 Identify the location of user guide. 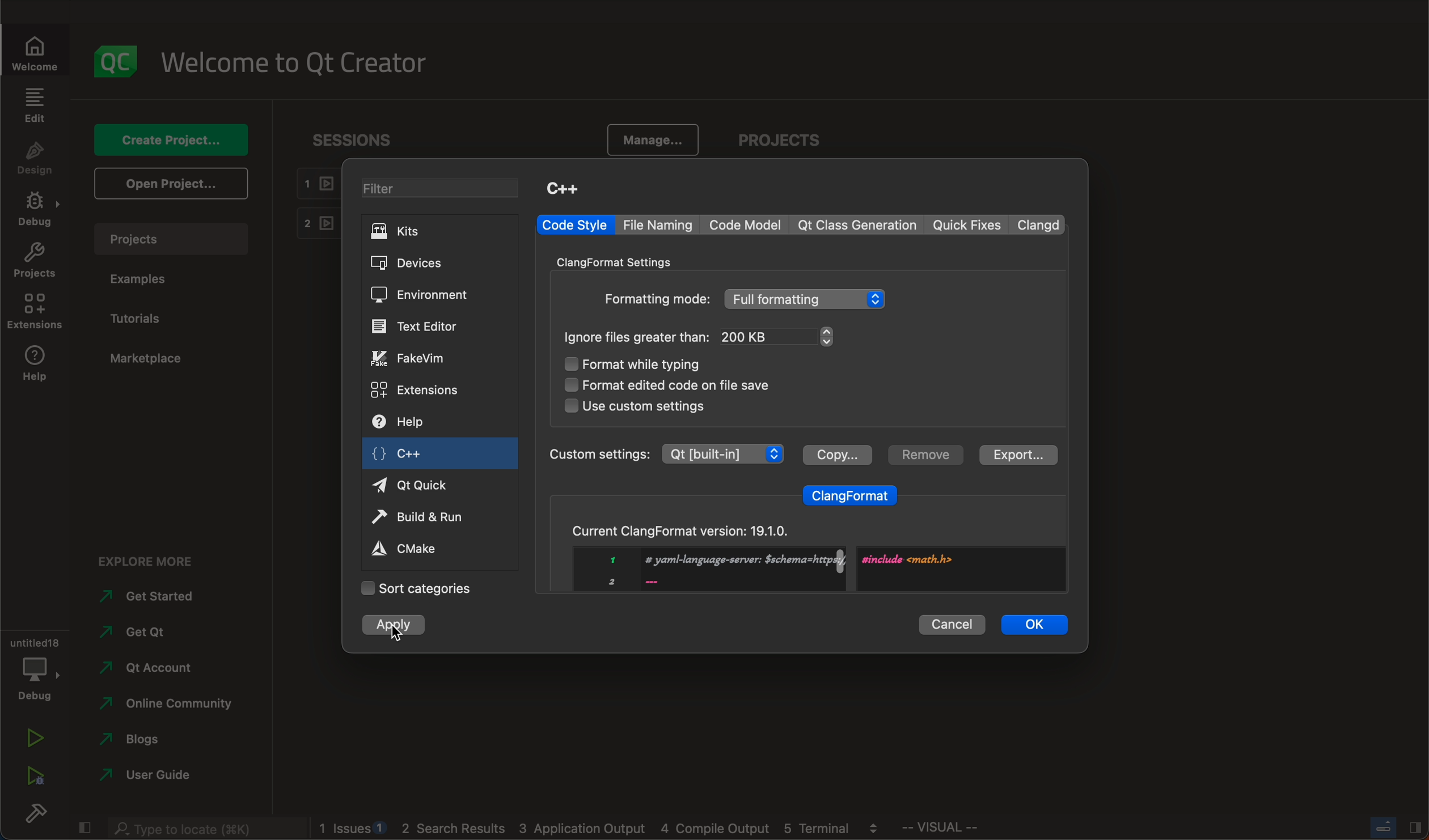
(149, 777).